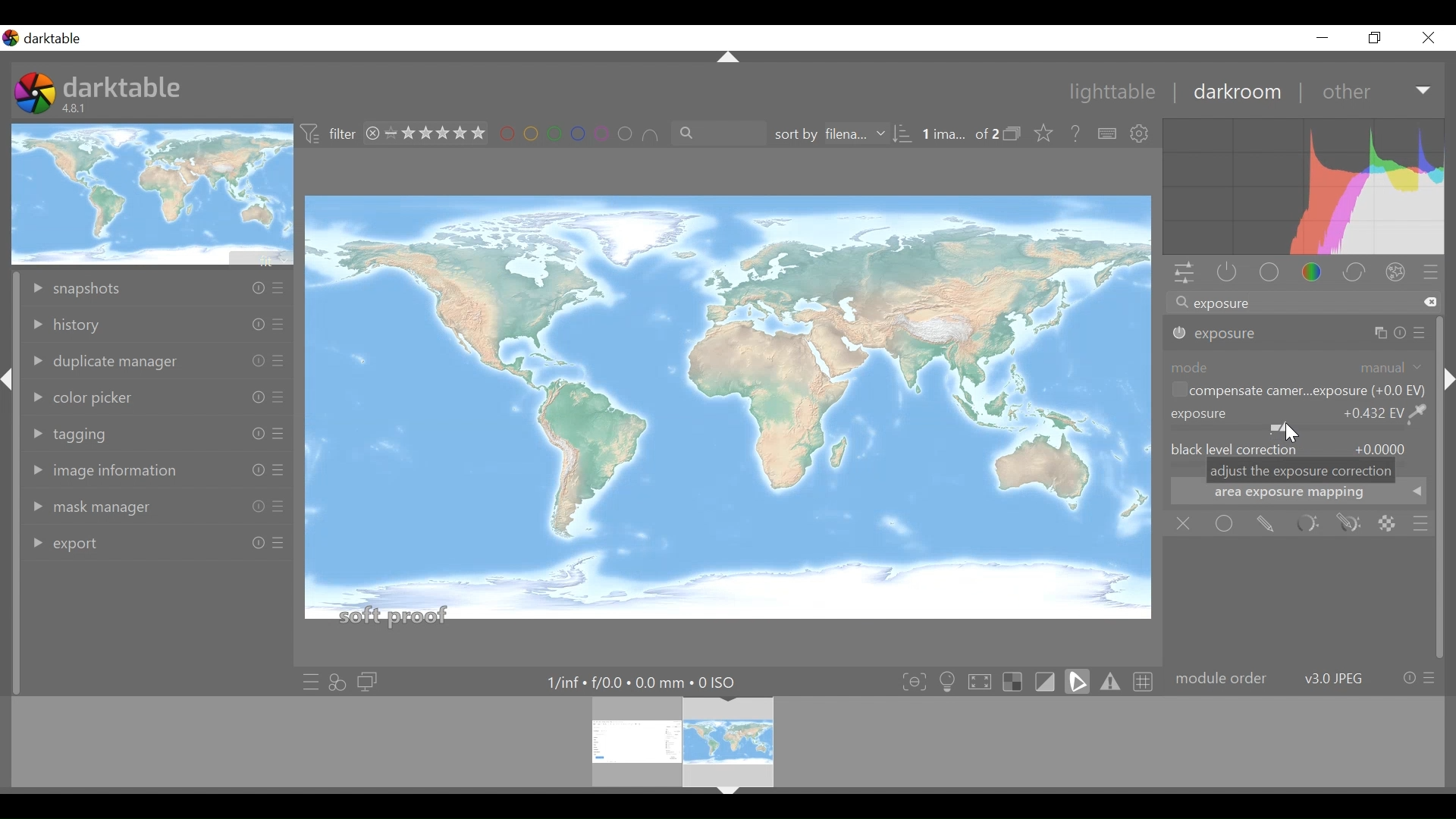 This screenshot has width=1456, height=819. I want to click on filter by text, so click(711, 134).